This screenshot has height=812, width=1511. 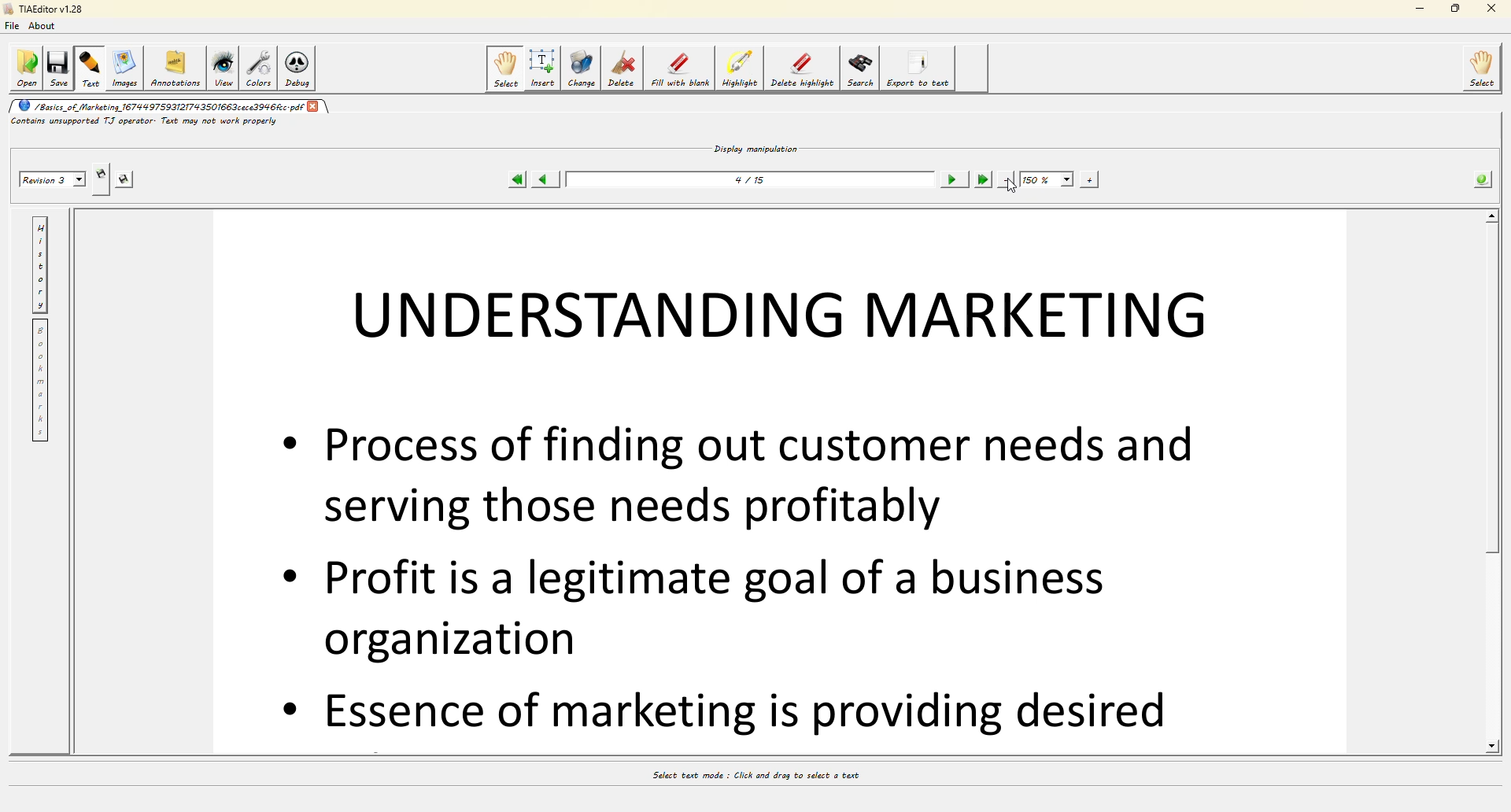 I want to click on history, so click(x=41, y=264).